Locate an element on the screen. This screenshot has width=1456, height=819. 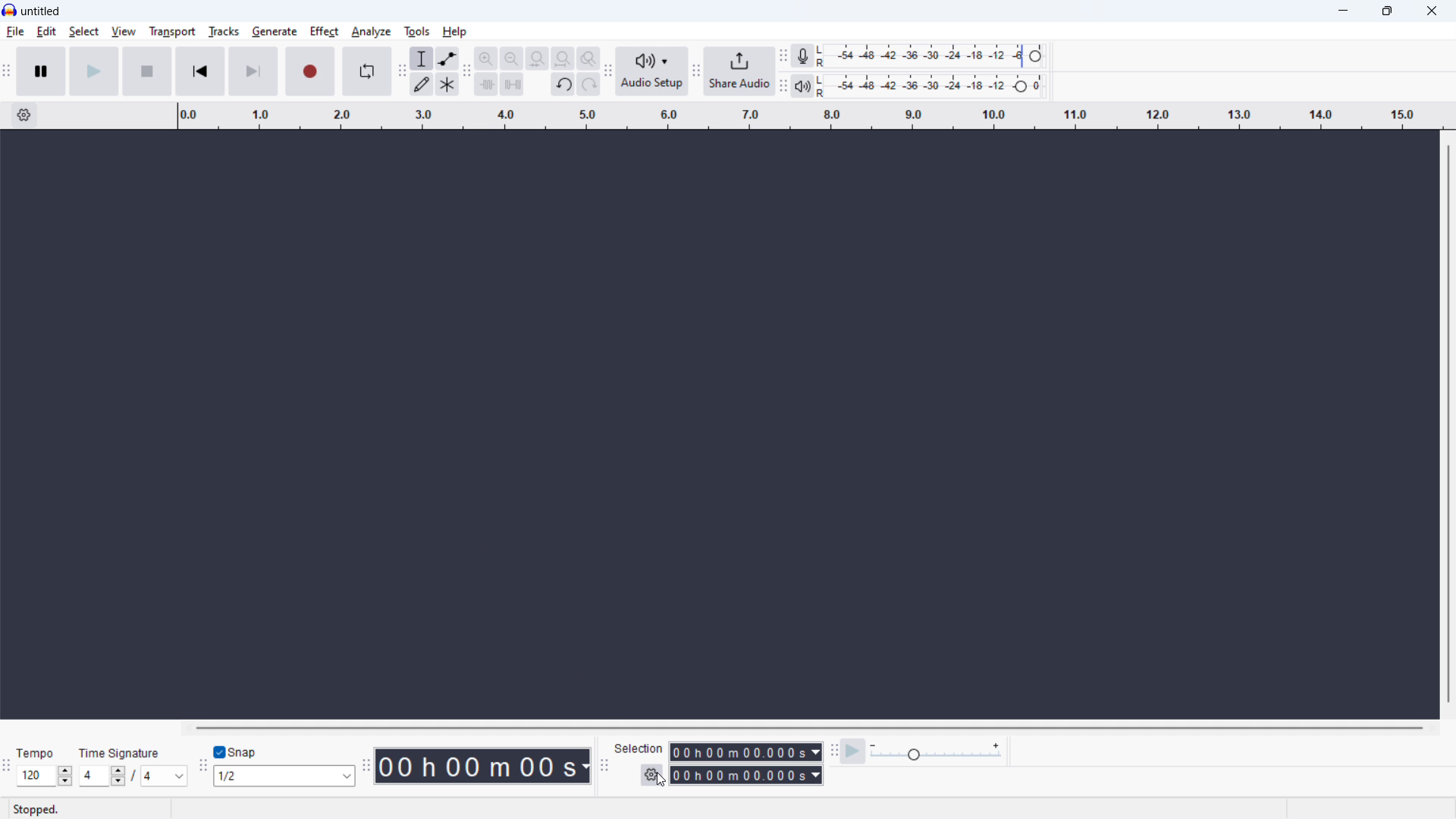
time signature is located at coordinates (121, 754).